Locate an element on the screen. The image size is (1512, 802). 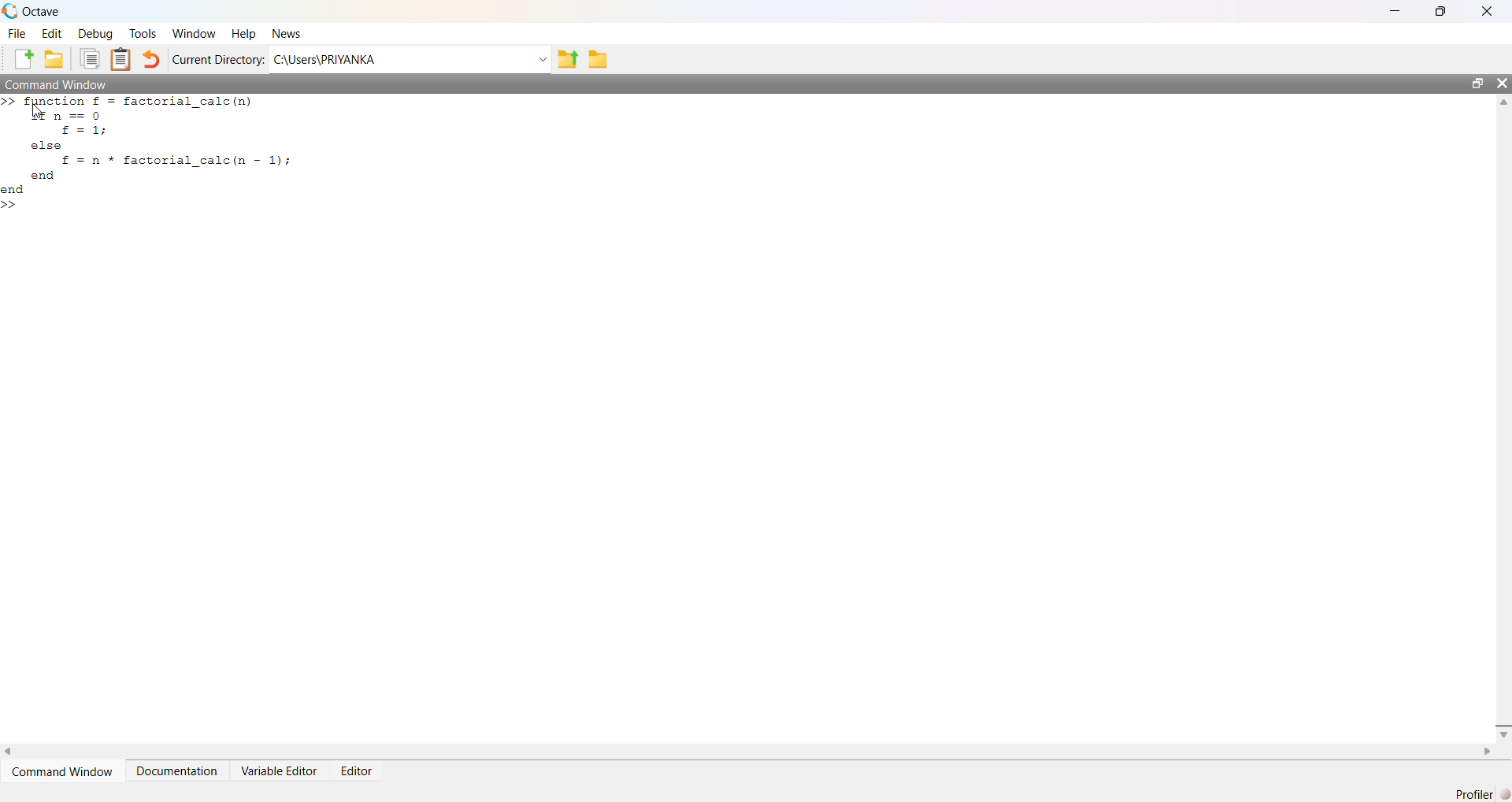
file is located at coordinates (19, 32).